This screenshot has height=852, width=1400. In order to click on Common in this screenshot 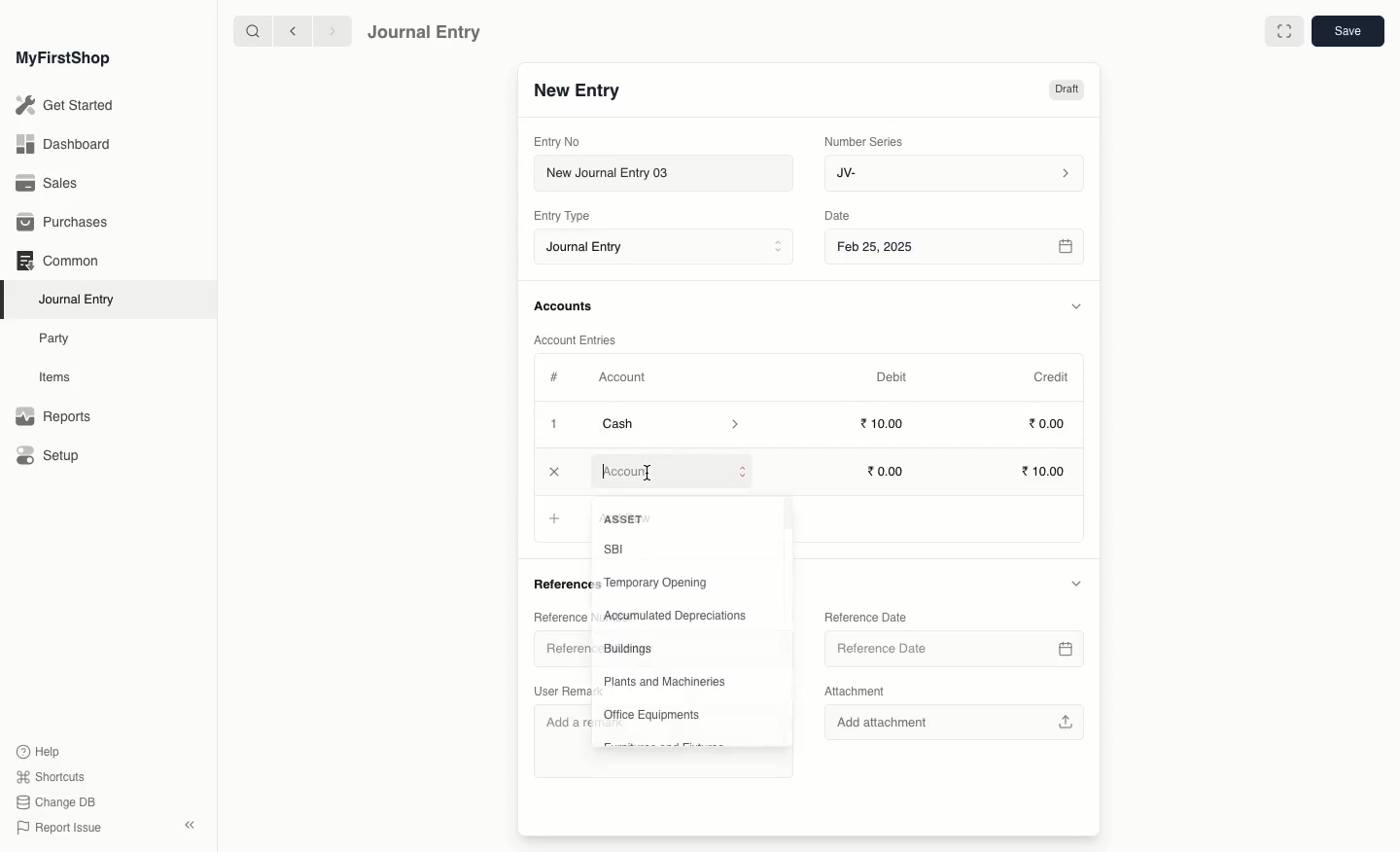, I will do `click(56, 261)`.